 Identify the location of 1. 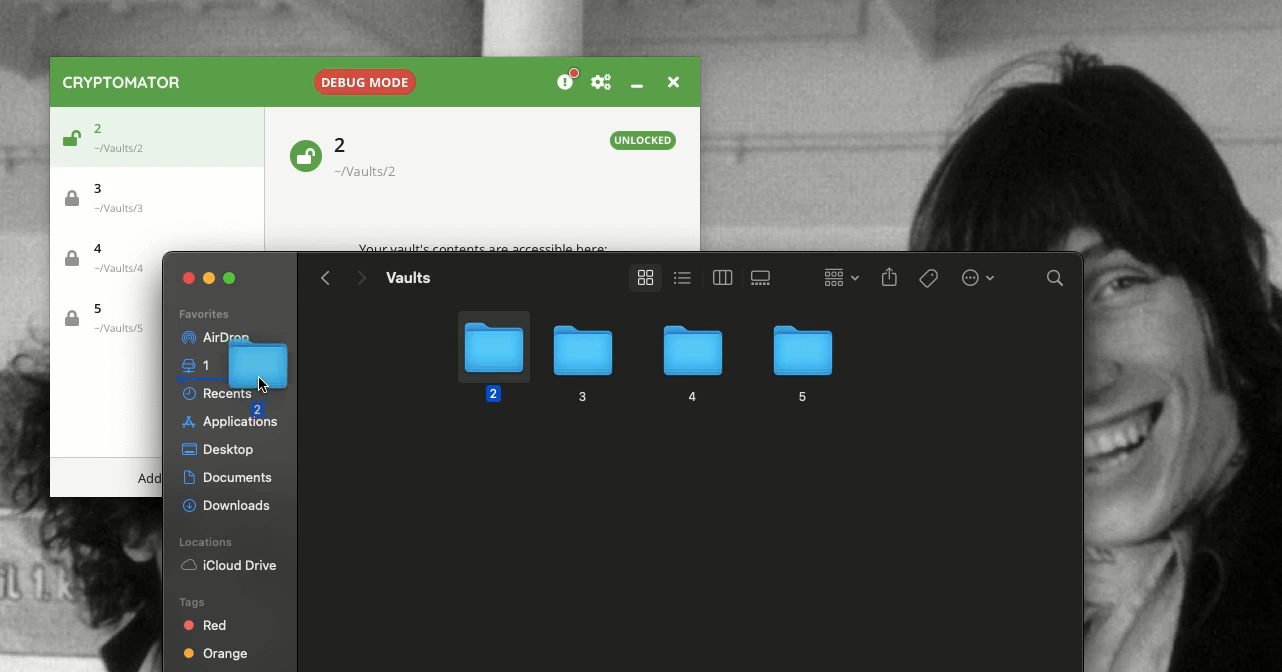
(200, 366).